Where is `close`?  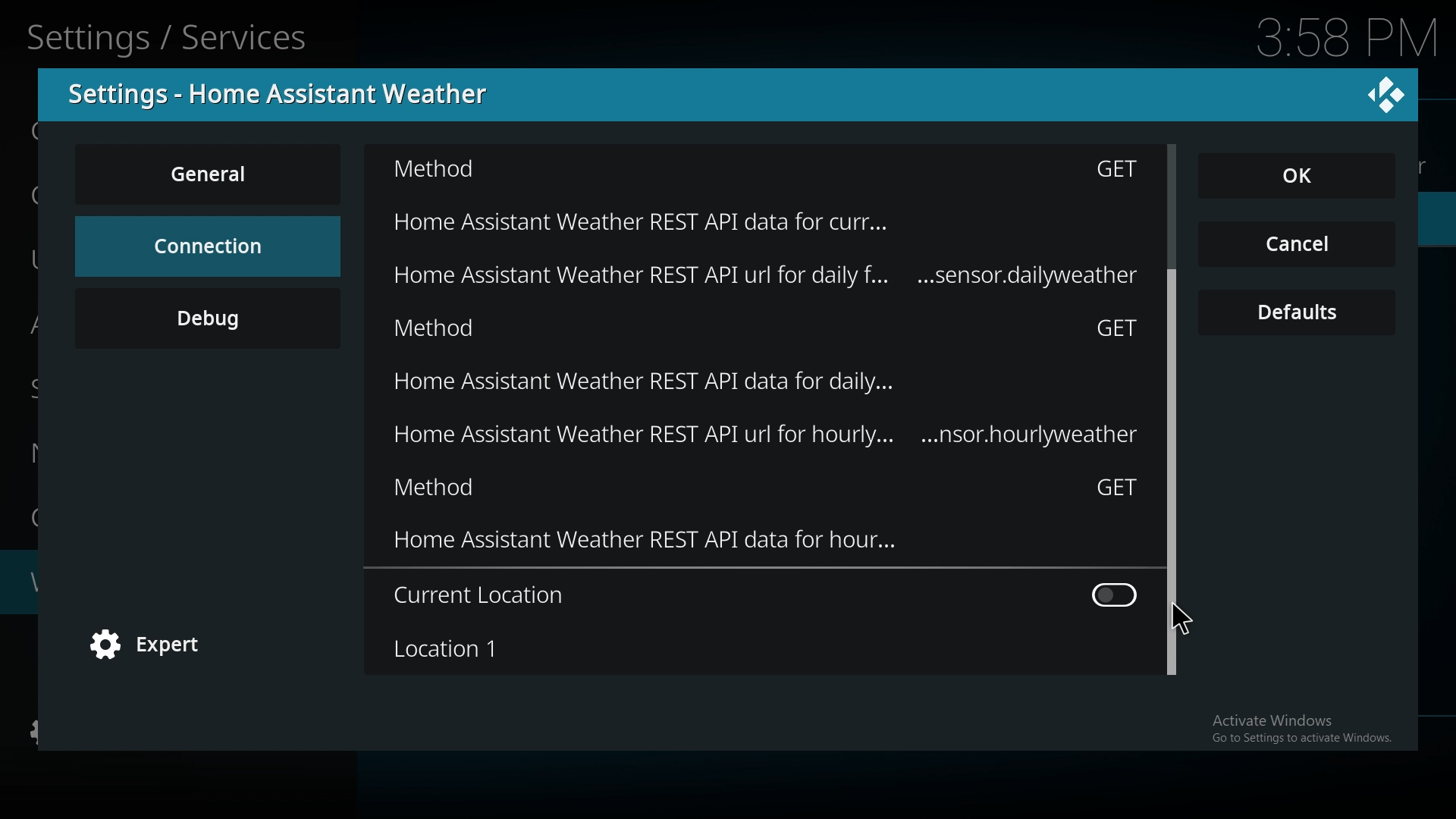
close is located at coordinates (1386, 93).